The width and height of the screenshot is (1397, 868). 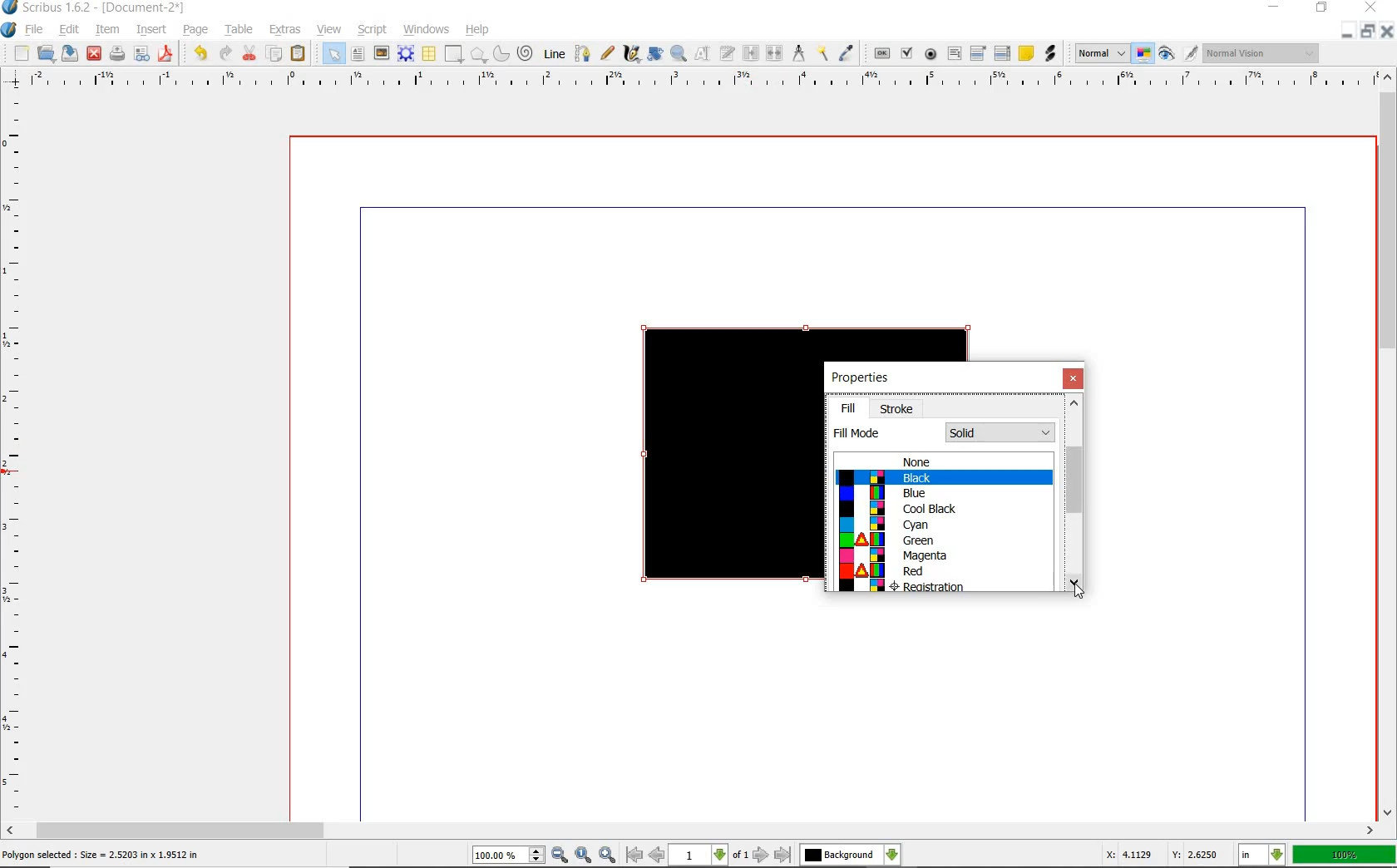 What do you see at coordinates (1075, 494) in the screenshot?
I see `scrollbar` at bounding box center [1075, 494].